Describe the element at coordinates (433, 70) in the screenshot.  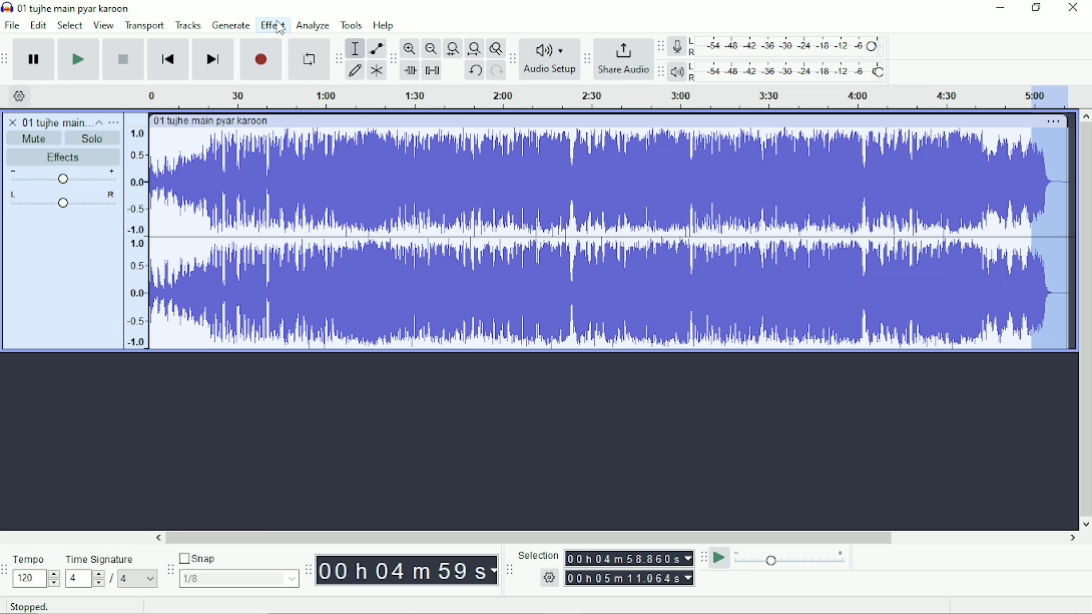
I see `Silence audio selection` at that location.